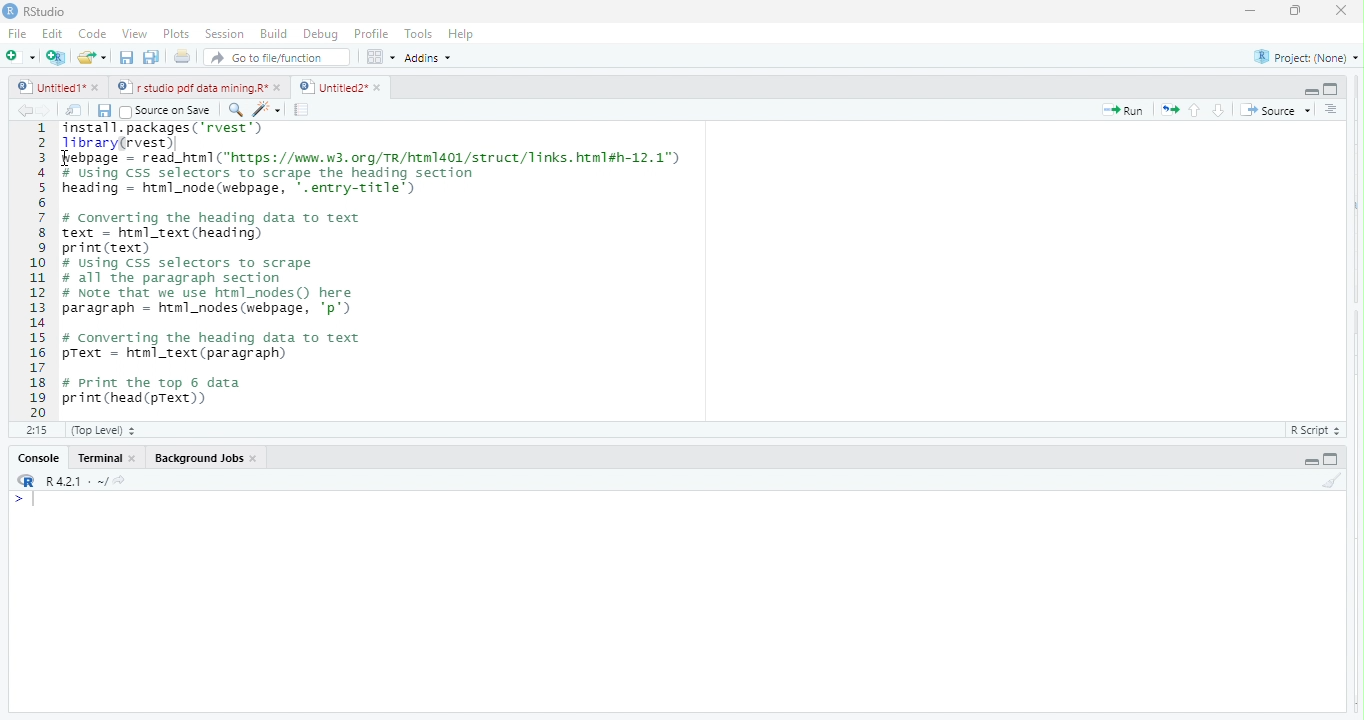 The image size is (1364, 720). What do you see at coordinates (375, 35) in the screenshot?
I see `Profile` at bounding box center [375, 35].